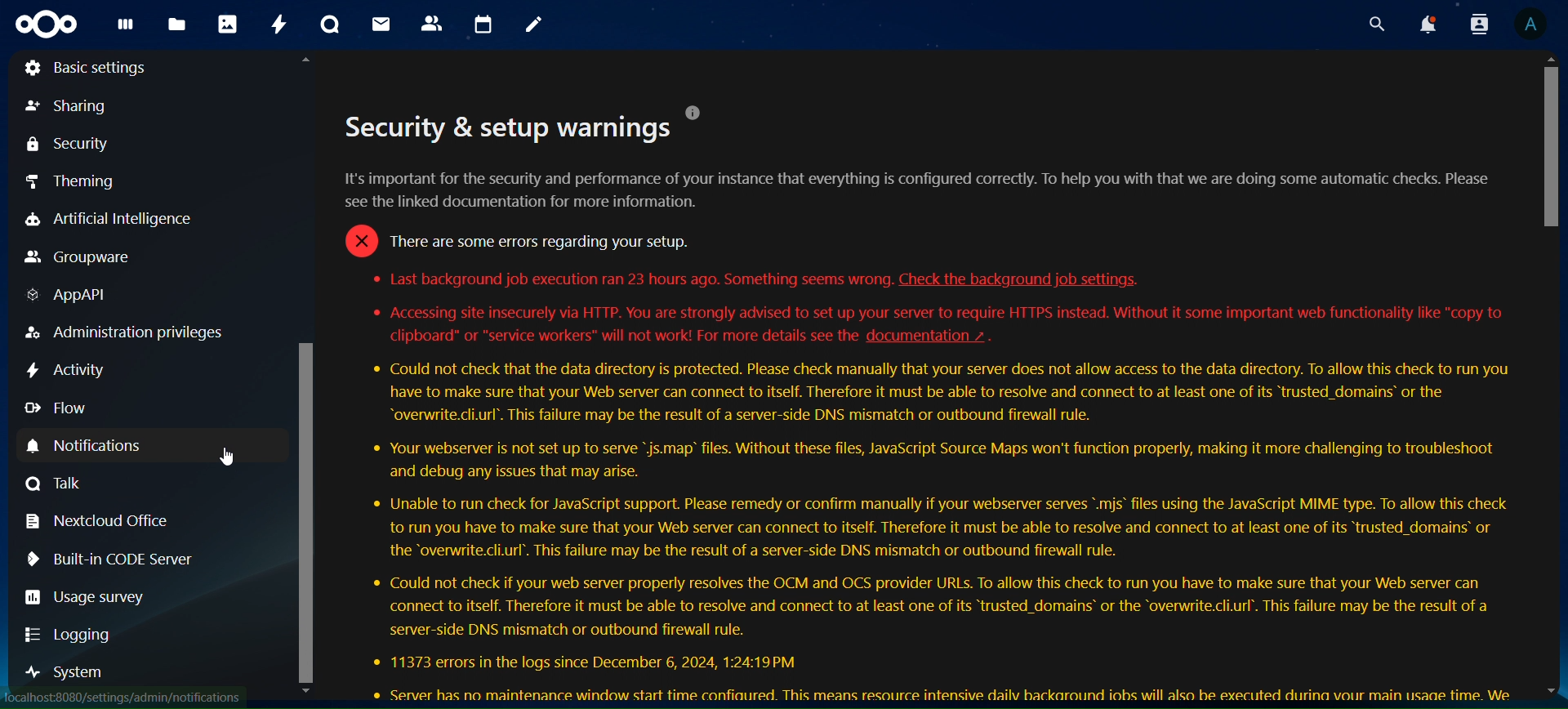  What do you see at coordinates (76, 141) in the screenshot?
I see `security` at bounding box center [76, 141].